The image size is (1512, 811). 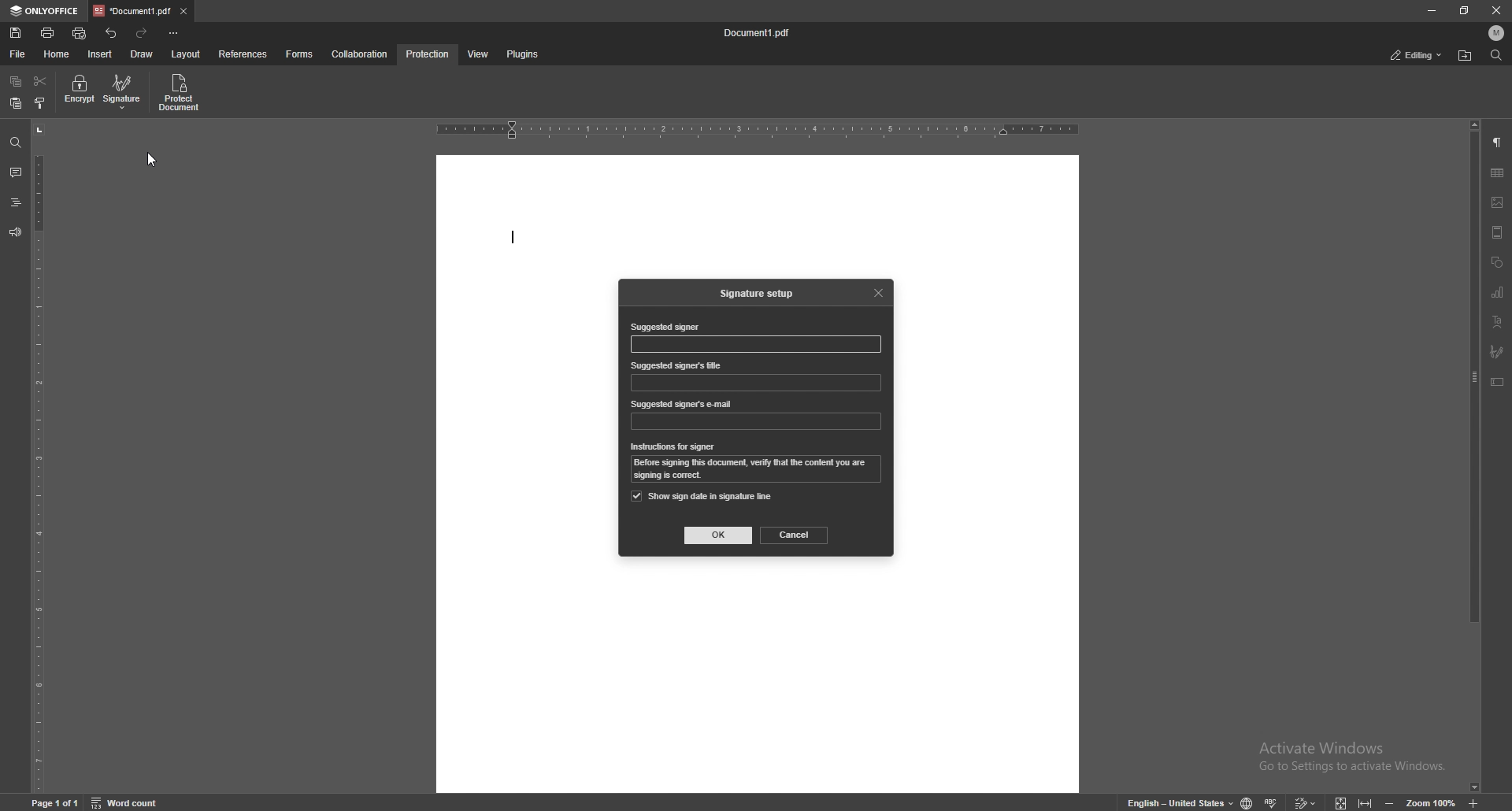 What do you see at coordinates (1497, 33) in the screenshot?
I see `profile` at bounding box center [1497, 33].